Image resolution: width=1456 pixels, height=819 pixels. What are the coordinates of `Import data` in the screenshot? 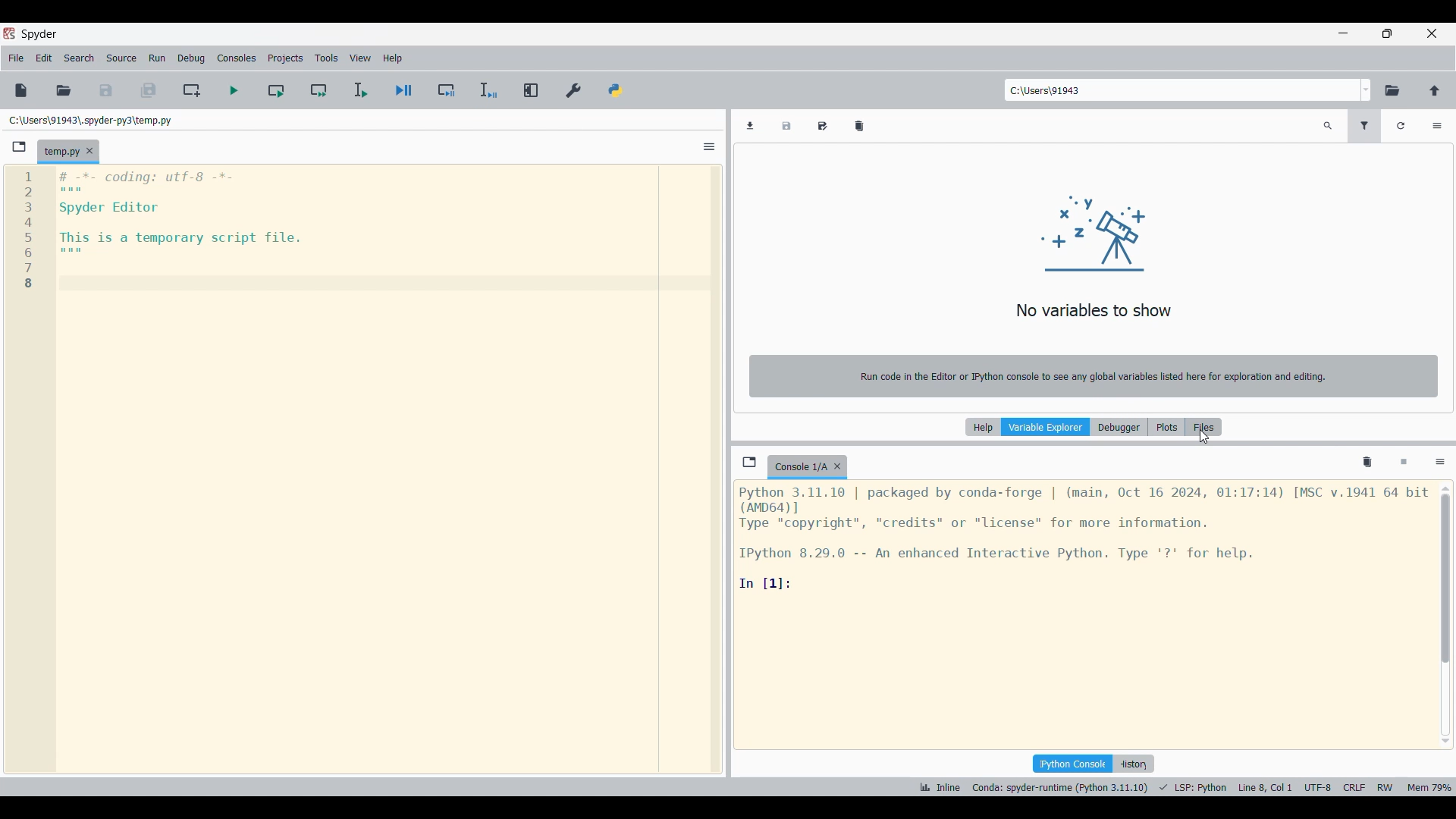 It's located at (750, 126).